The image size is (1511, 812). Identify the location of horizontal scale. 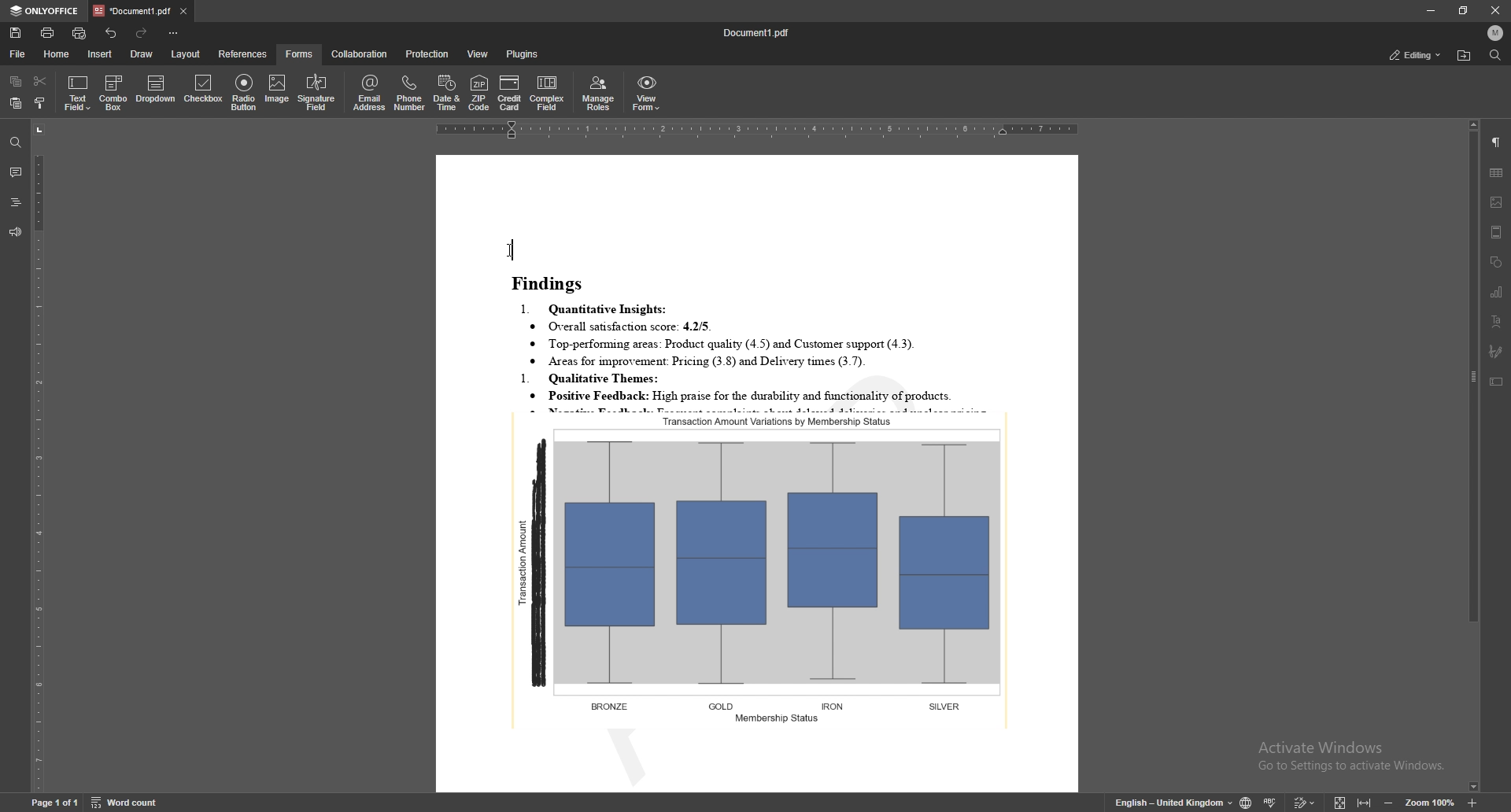
(758, 132).